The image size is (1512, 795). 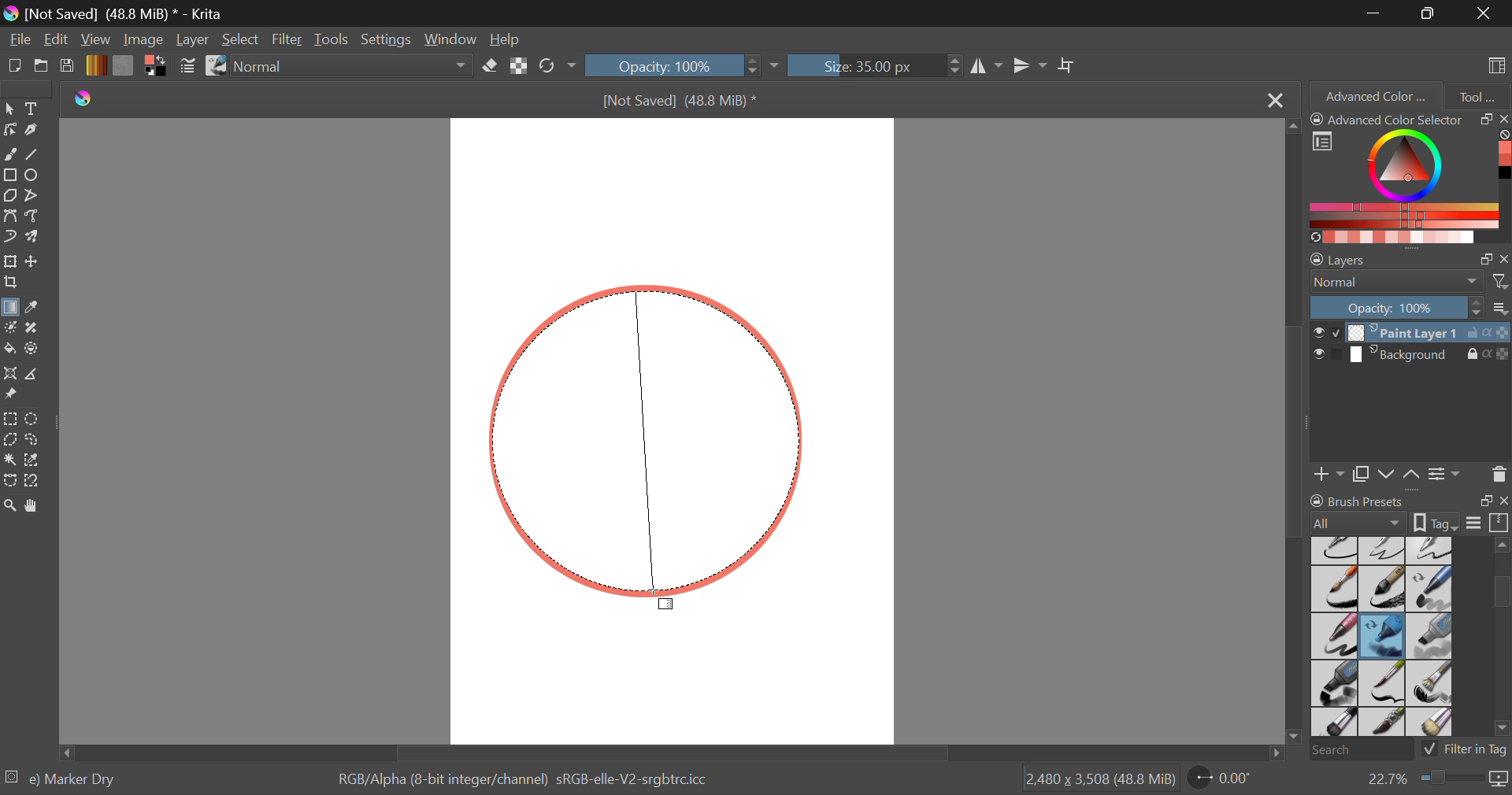 What do you see at coordinates (1374, 95) in the screenshot?
I see `Advanced Color Selector Tab Open` at bounding box center [1374, 95].